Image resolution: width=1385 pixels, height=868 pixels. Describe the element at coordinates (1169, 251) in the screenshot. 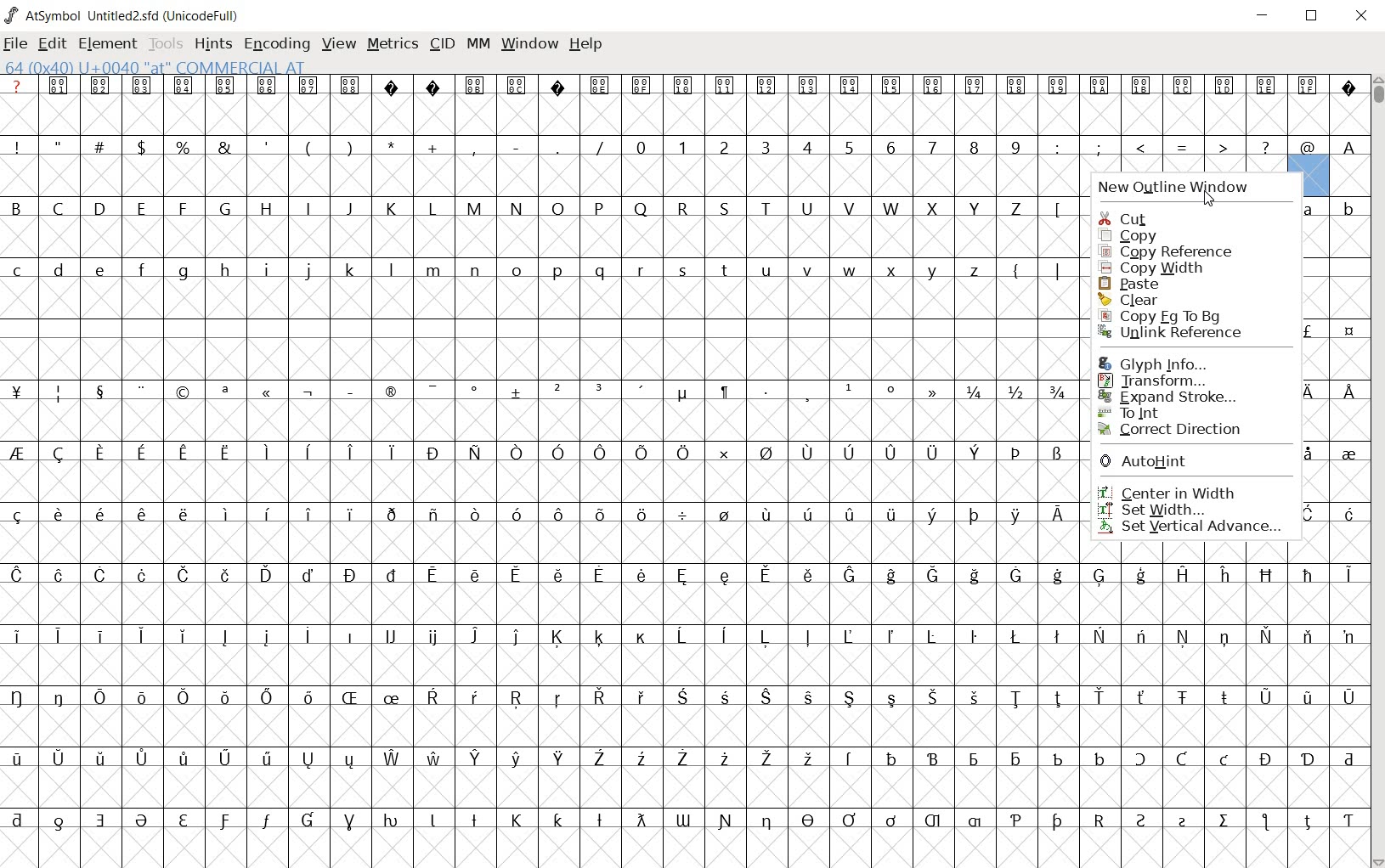

I see `COPY REFERENCE` at that location.